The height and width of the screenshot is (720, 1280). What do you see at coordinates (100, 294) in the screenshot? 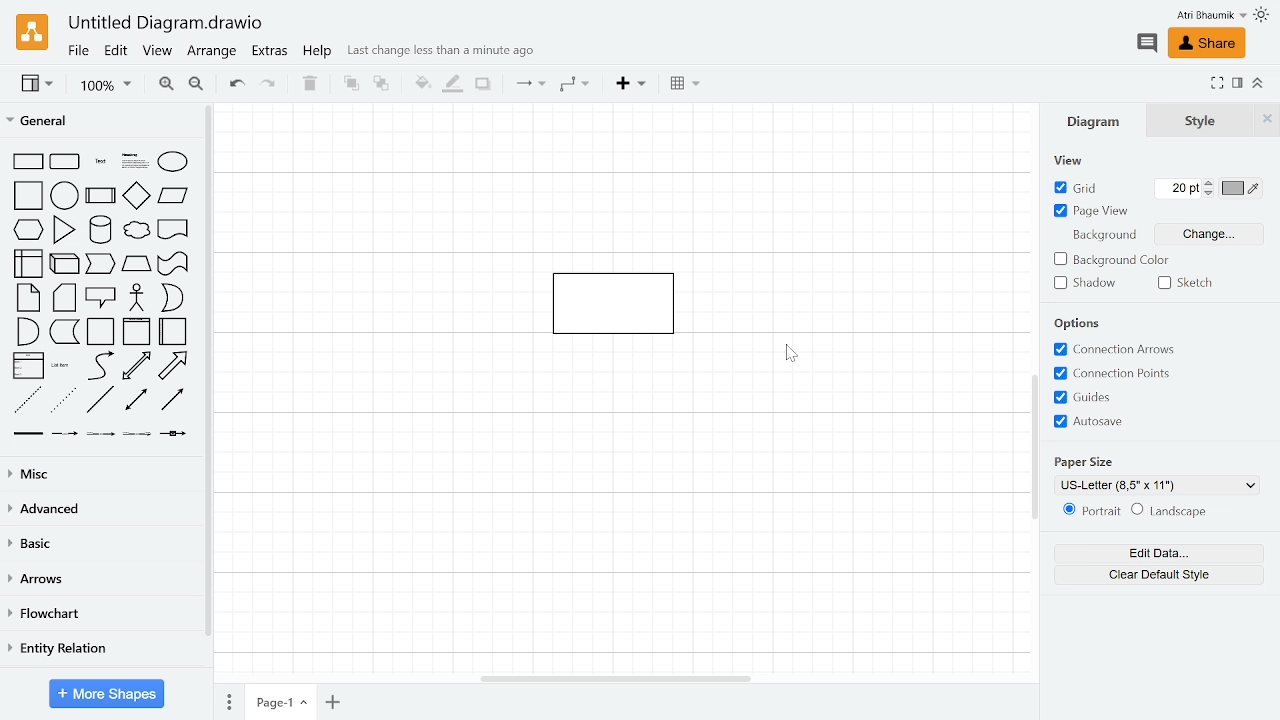
I see `Shapes` at bounding box center [100, 294].